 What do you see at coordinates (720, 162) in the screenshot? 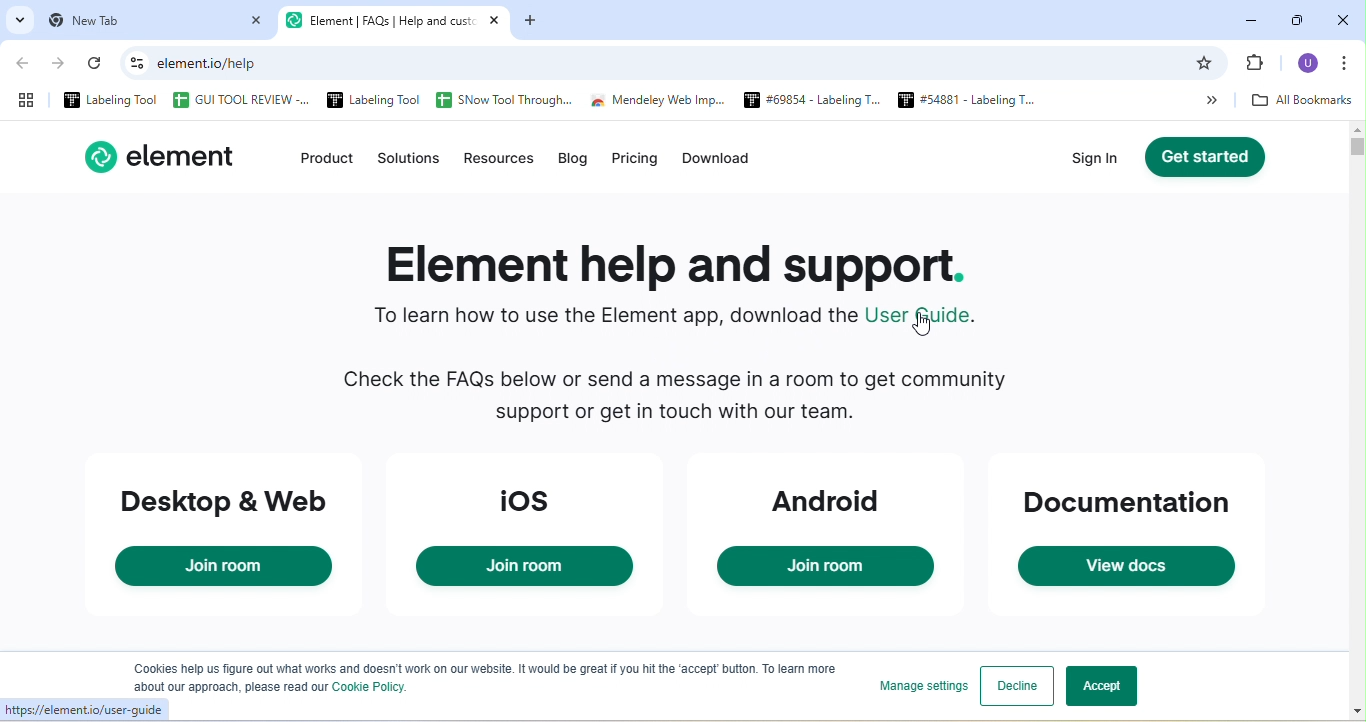
I see `download` at bounding box center [720, 162].